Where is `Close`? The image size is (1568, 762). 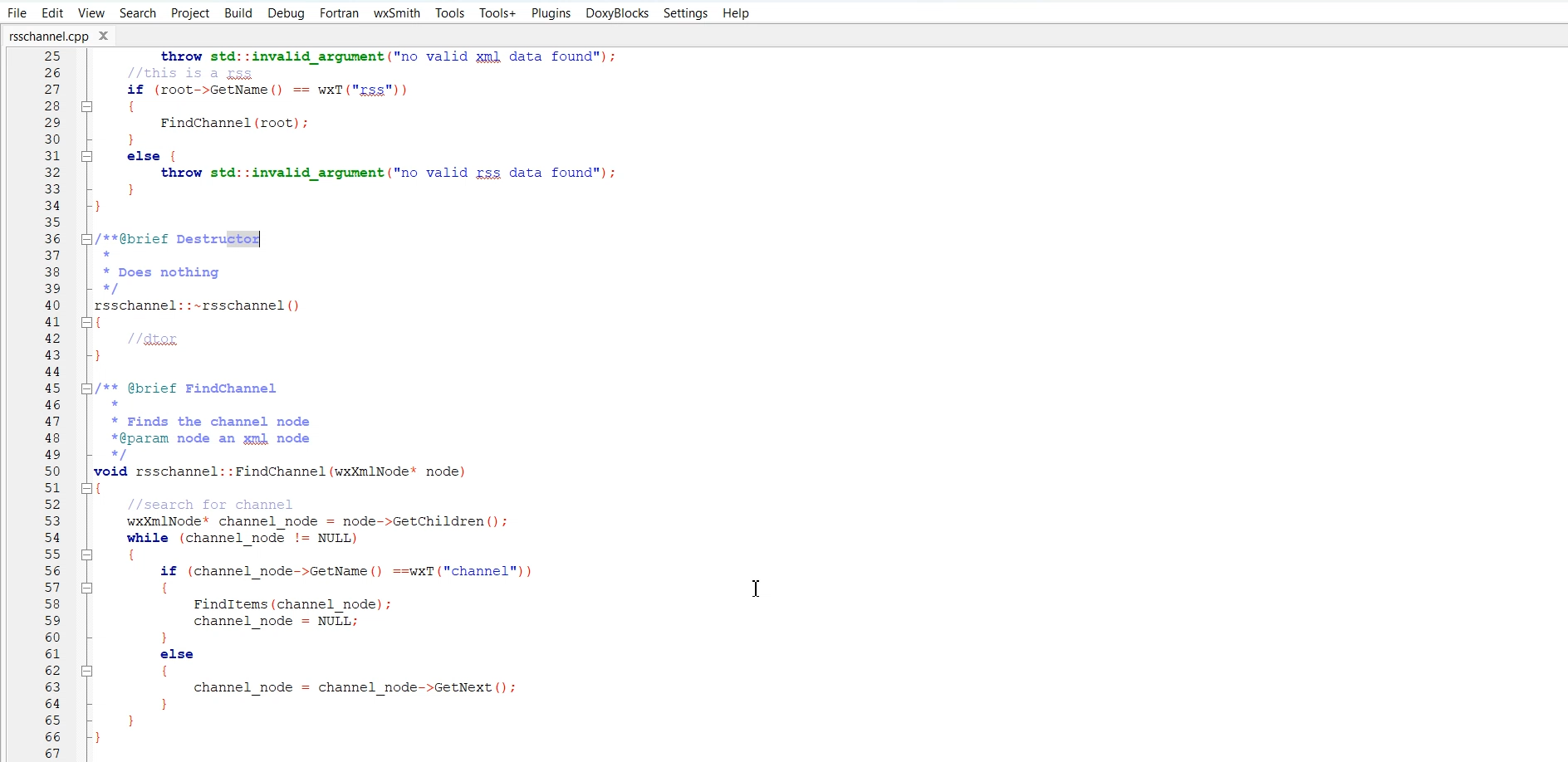
Close is located at coordinates (106, 34).